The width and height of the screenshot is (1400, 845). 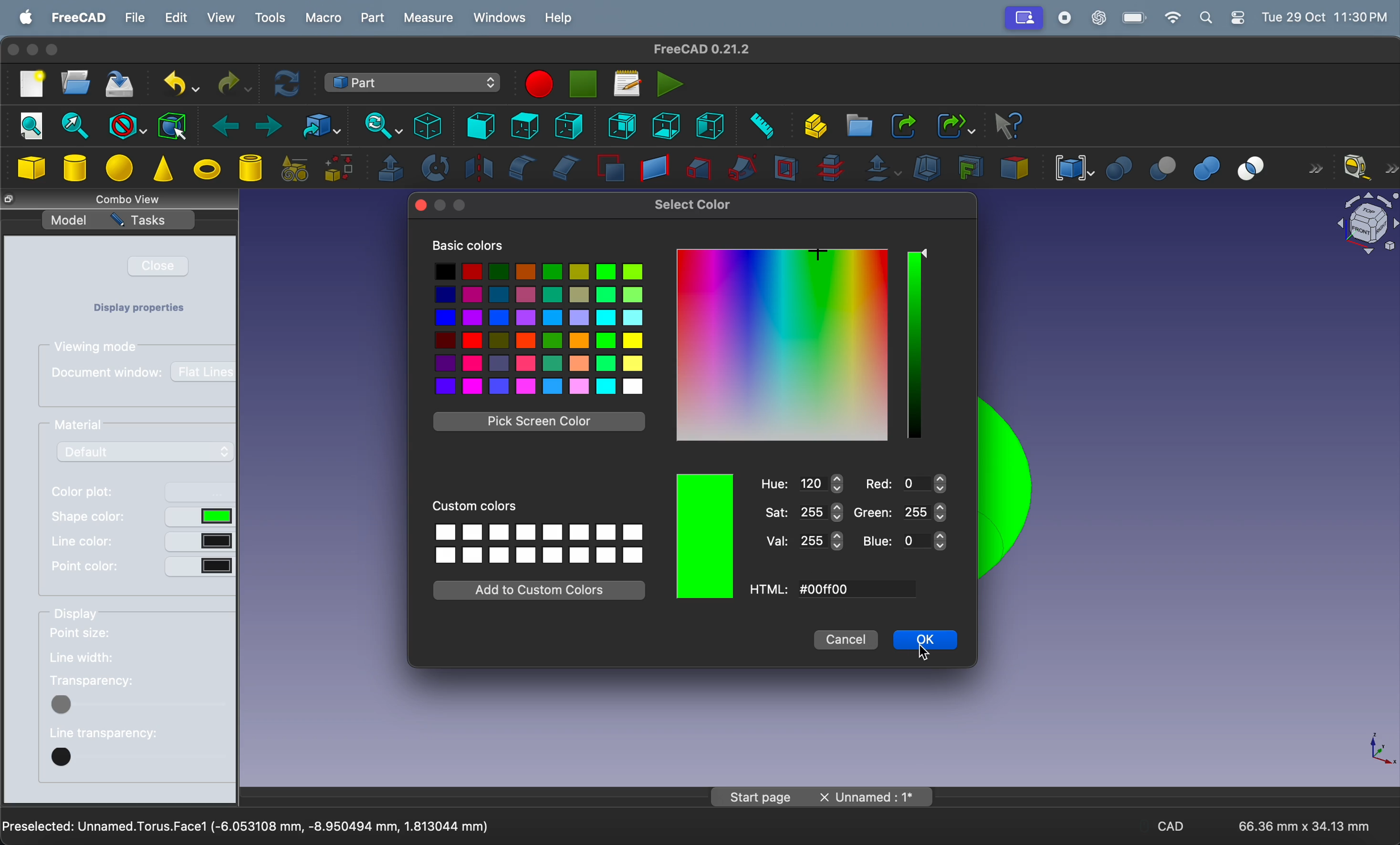 What do you see at coordinates (390, 169) in the screenshot?
I see `extrude` at bounding box center [390, 169].